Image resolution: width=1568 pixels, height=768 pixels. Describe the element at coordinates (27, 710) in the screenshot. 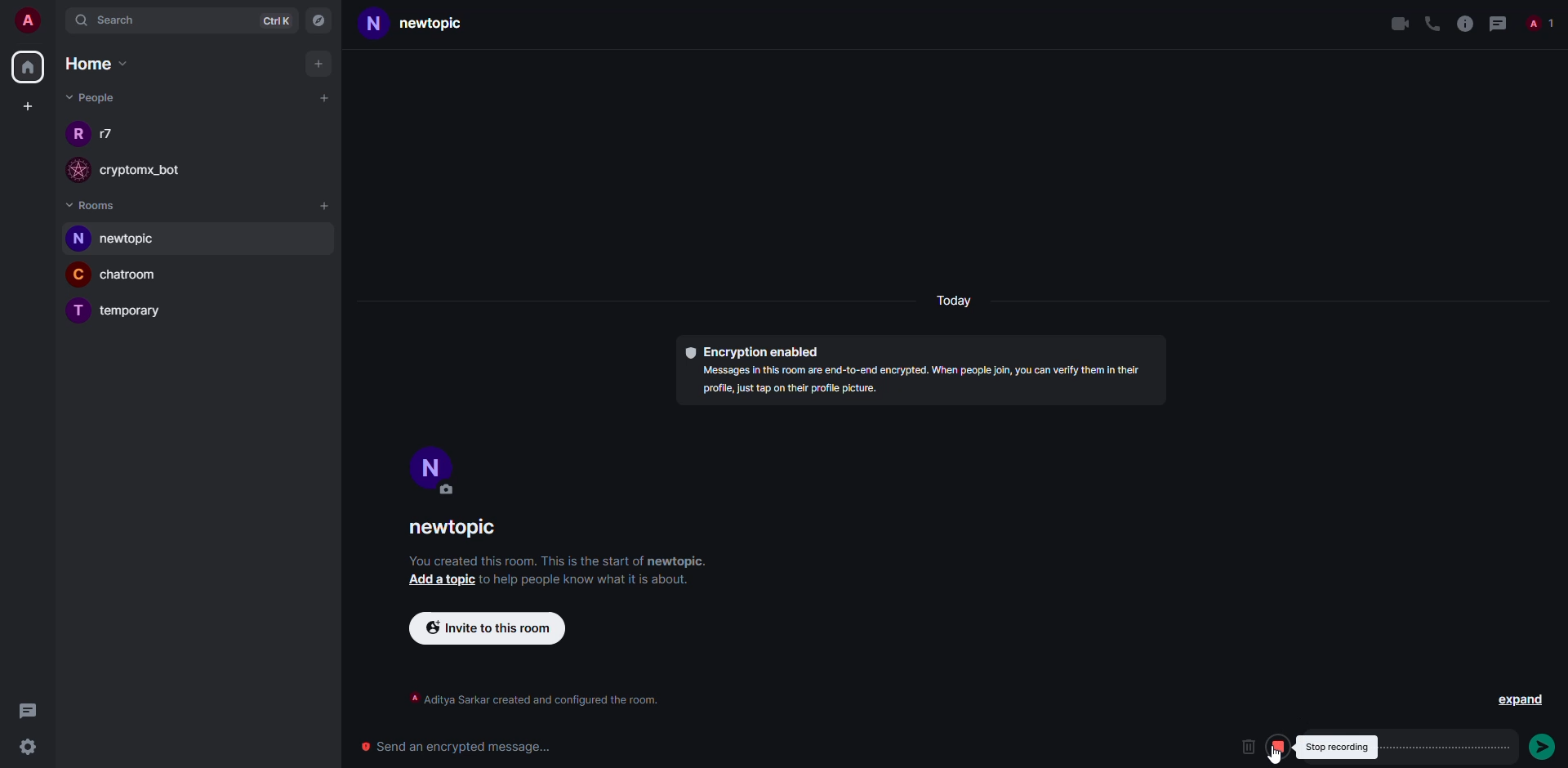

I see `threads` at that location.